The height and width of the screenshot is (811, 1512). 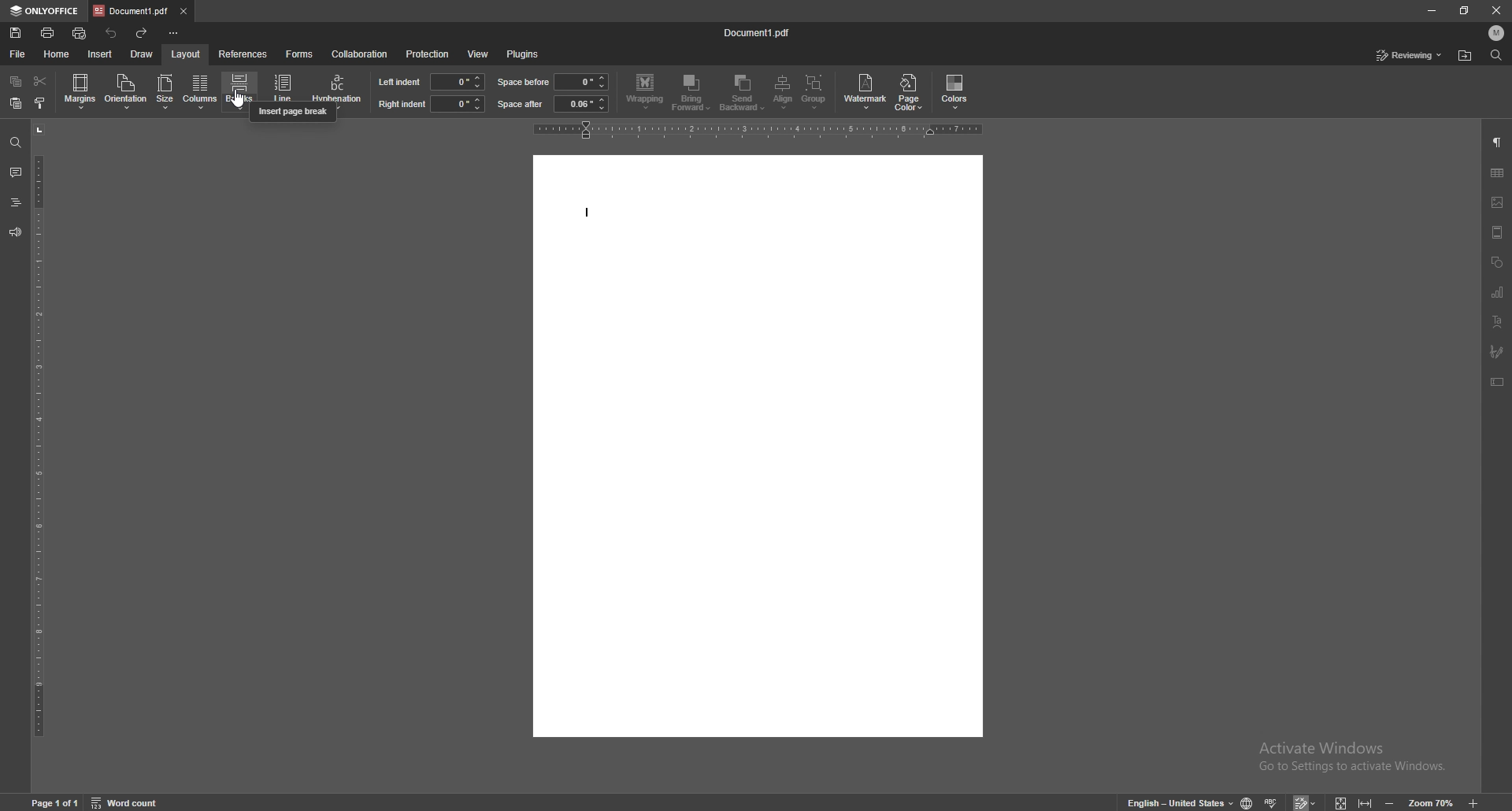 What do you see at coordinates (58, 54) in the screenshot?
I see `home` at bounding box center [58, 54].